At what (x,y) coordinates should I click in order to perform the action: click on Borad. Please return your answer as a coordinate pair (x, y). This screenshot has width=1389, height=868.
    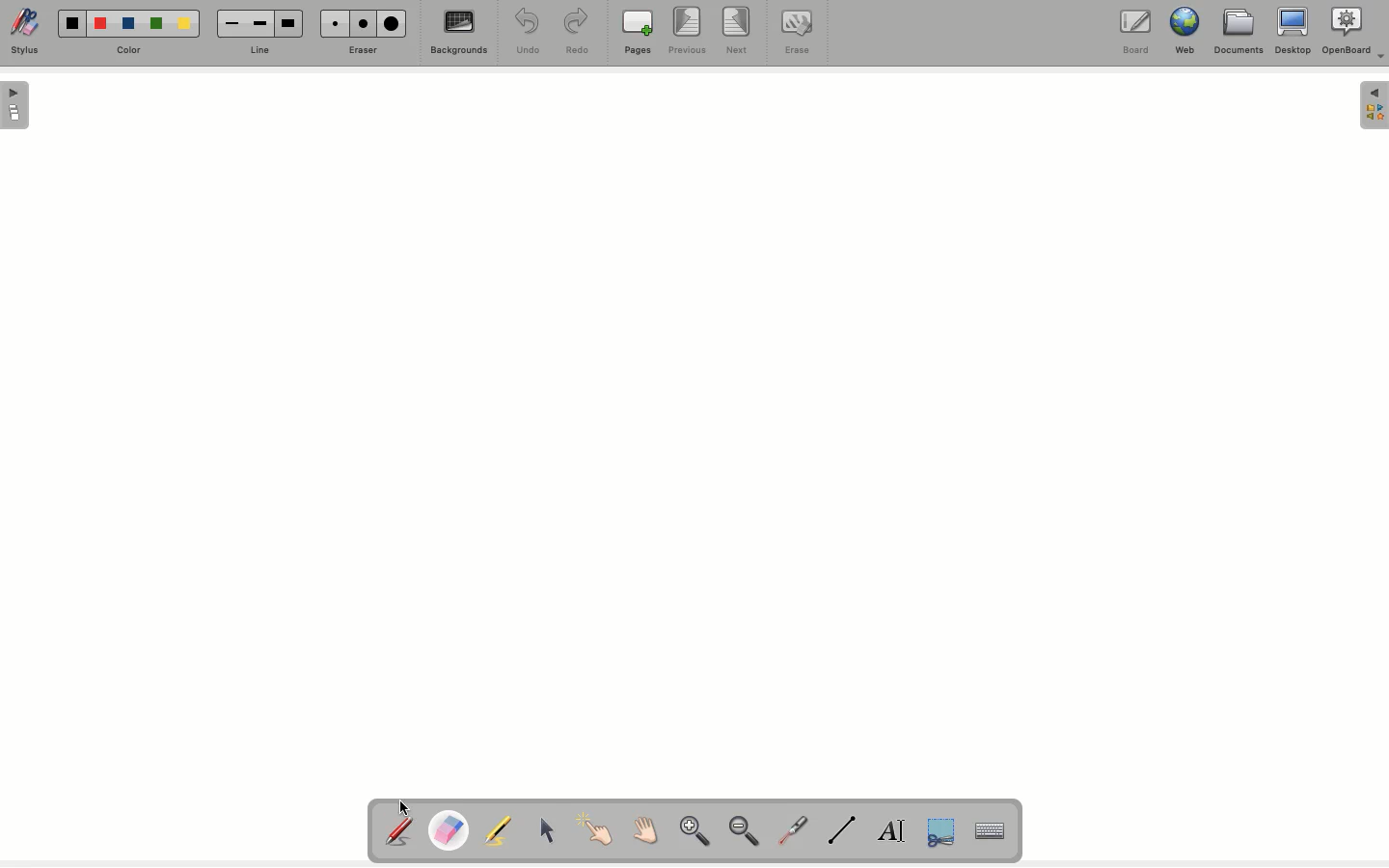
    Looking at the image, I should click on (1136, 35).